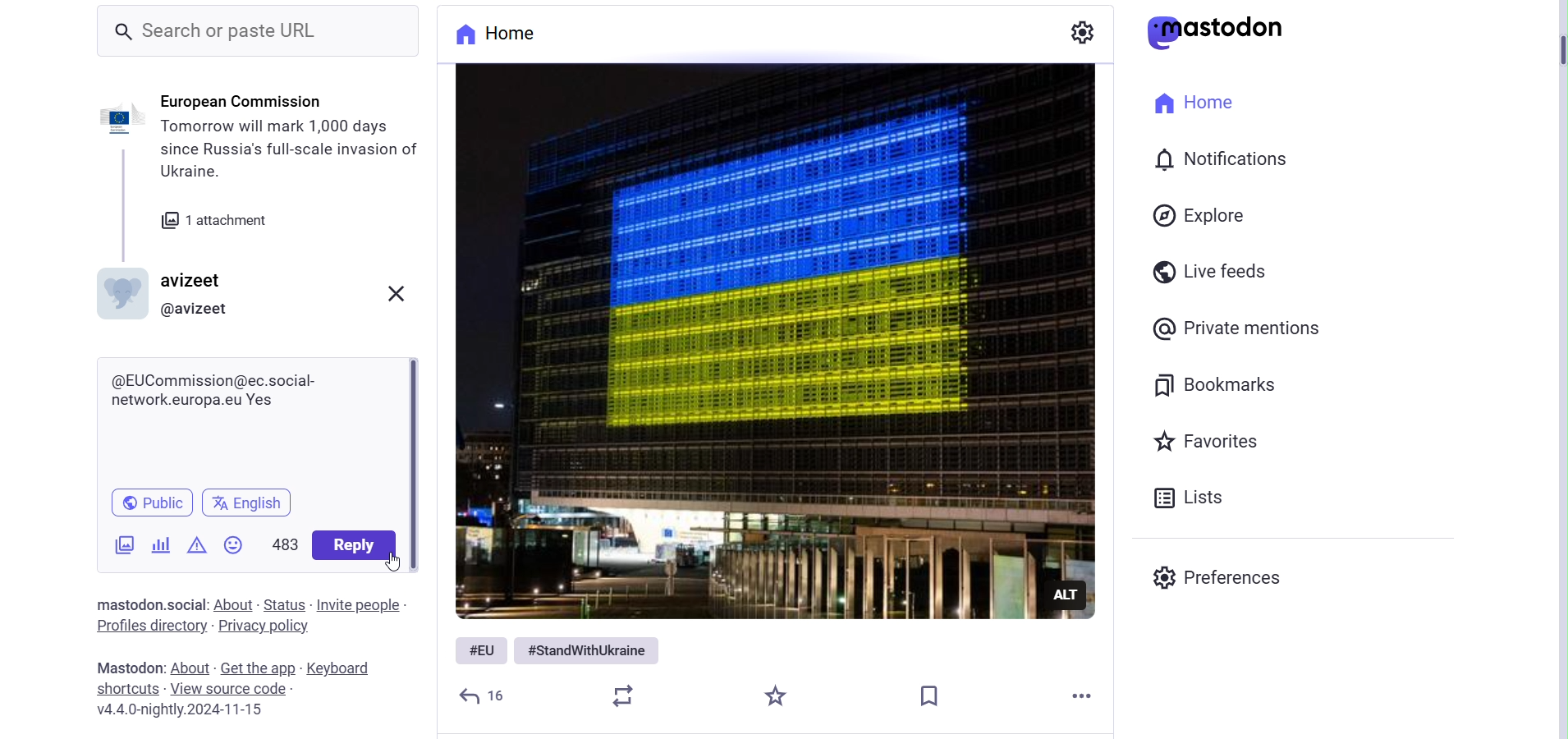 The width and height of the screenshot is (1568, 739). I want to click on Post Information, so click(269, 173).